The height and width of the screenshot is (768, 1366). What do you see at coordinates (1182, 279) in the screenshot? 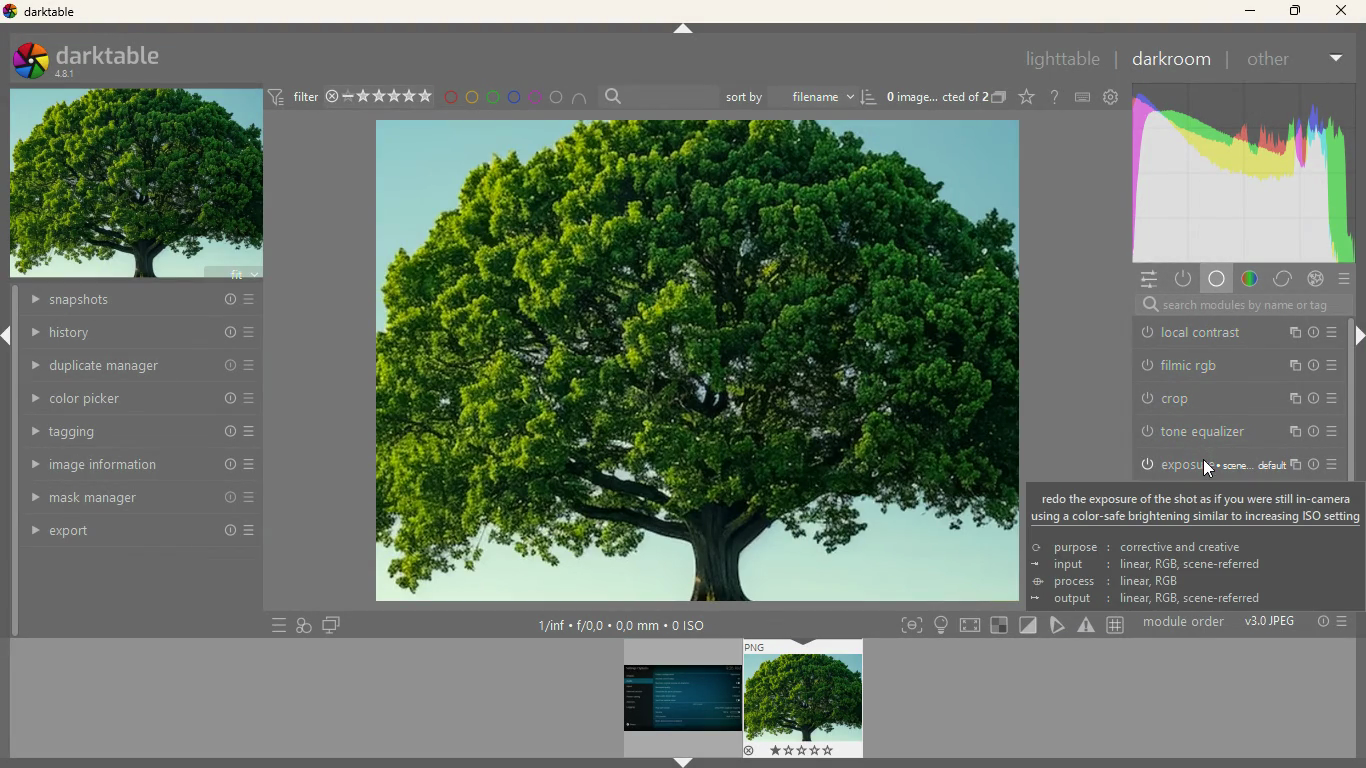
I see `power` at bounding box center [1182, 279].